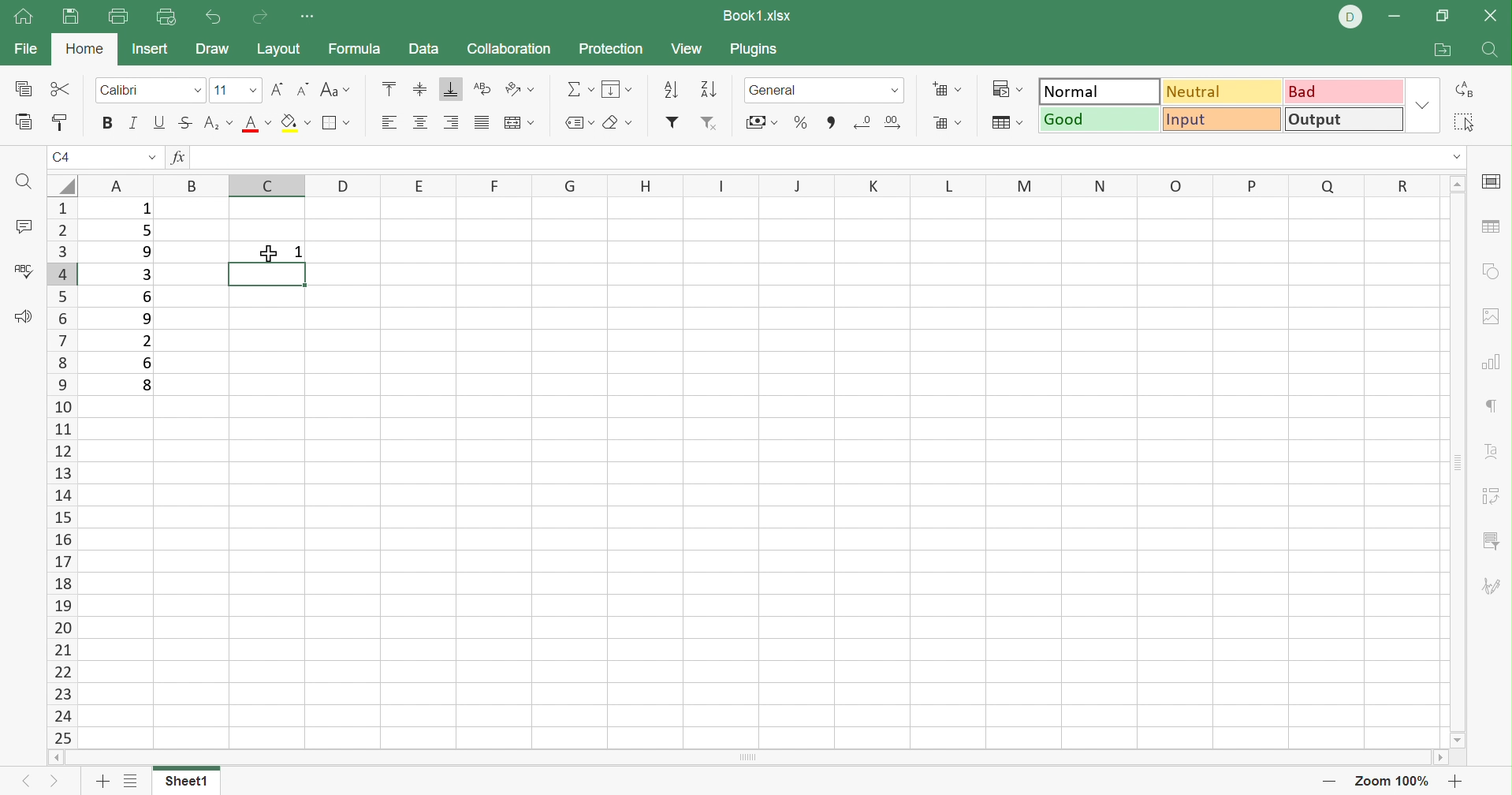 Image resolution: width=1512 pixels, height=795 pixels. I want to click on Draw, so click(212, 51).